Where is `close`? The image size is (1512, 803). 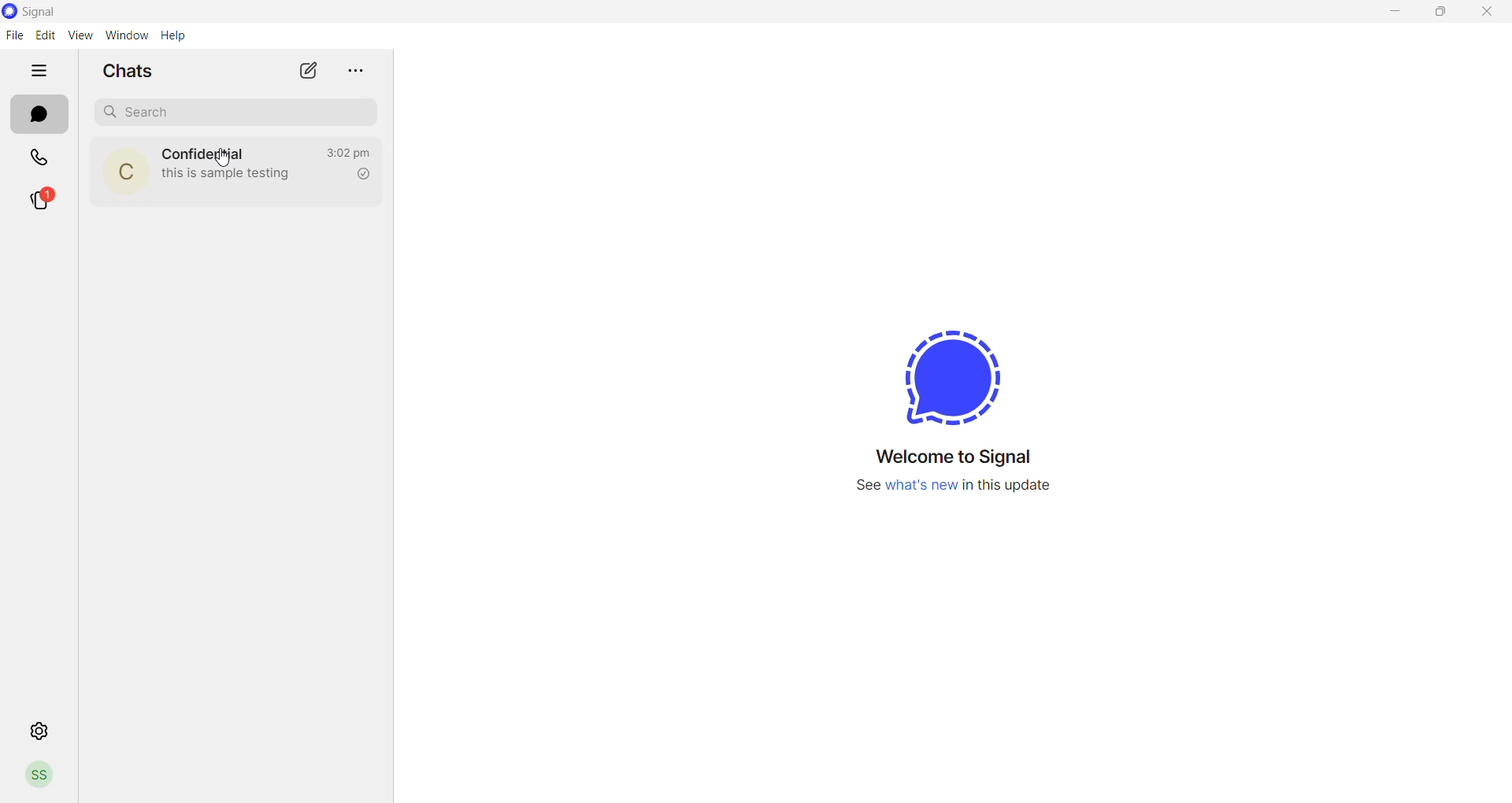
close is located at coordinates (1489, 13).